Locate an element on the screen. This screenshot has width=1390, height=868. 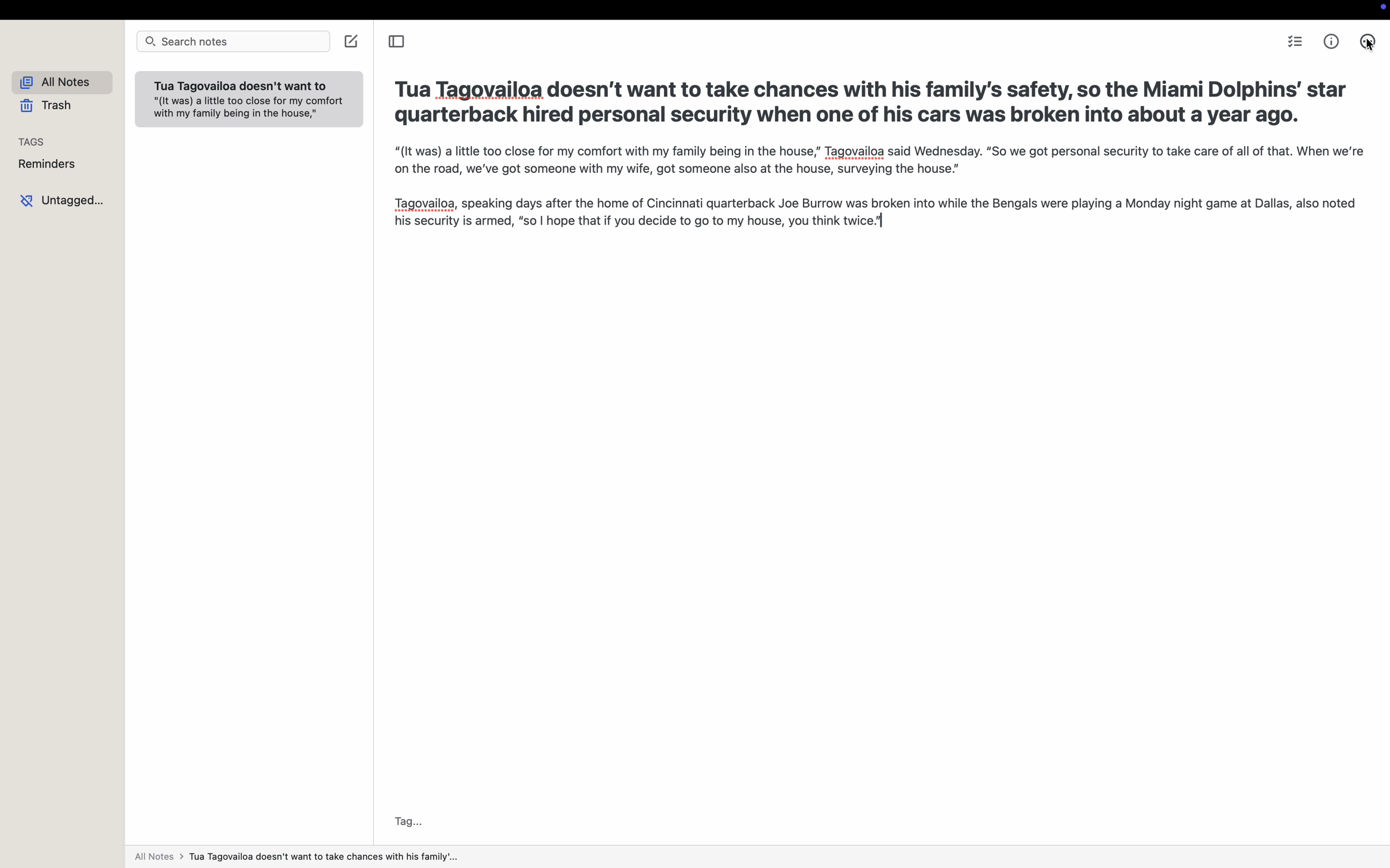
cursor is located at coordinates (1369, 49).